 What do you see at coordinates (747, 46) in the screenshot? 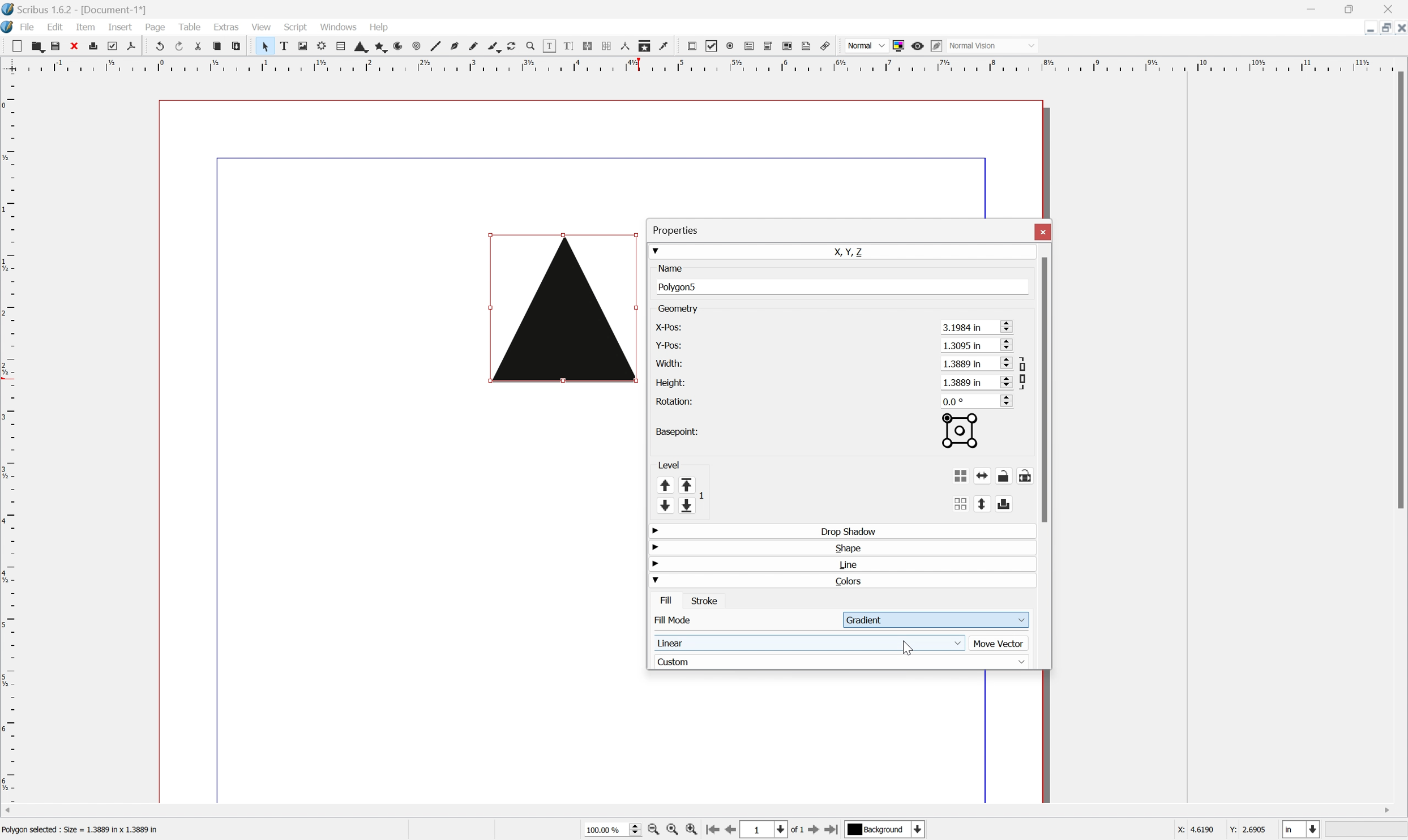
I see `PDF text field` at bounding box center [747, 46].